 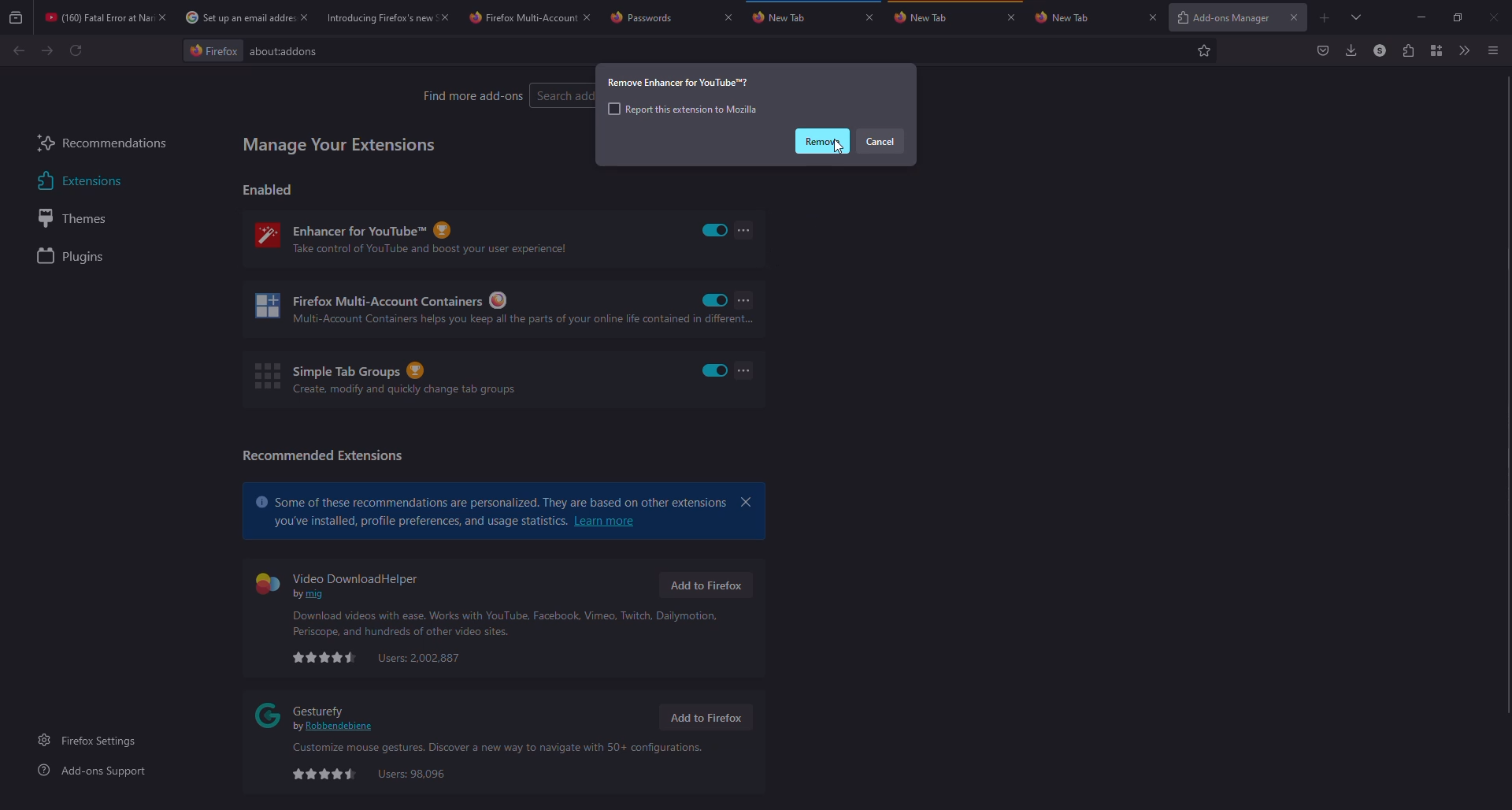 What do you see at coordinates (420, 658) in the screenshot?
I see `Users` at bounding box center [420, 658].